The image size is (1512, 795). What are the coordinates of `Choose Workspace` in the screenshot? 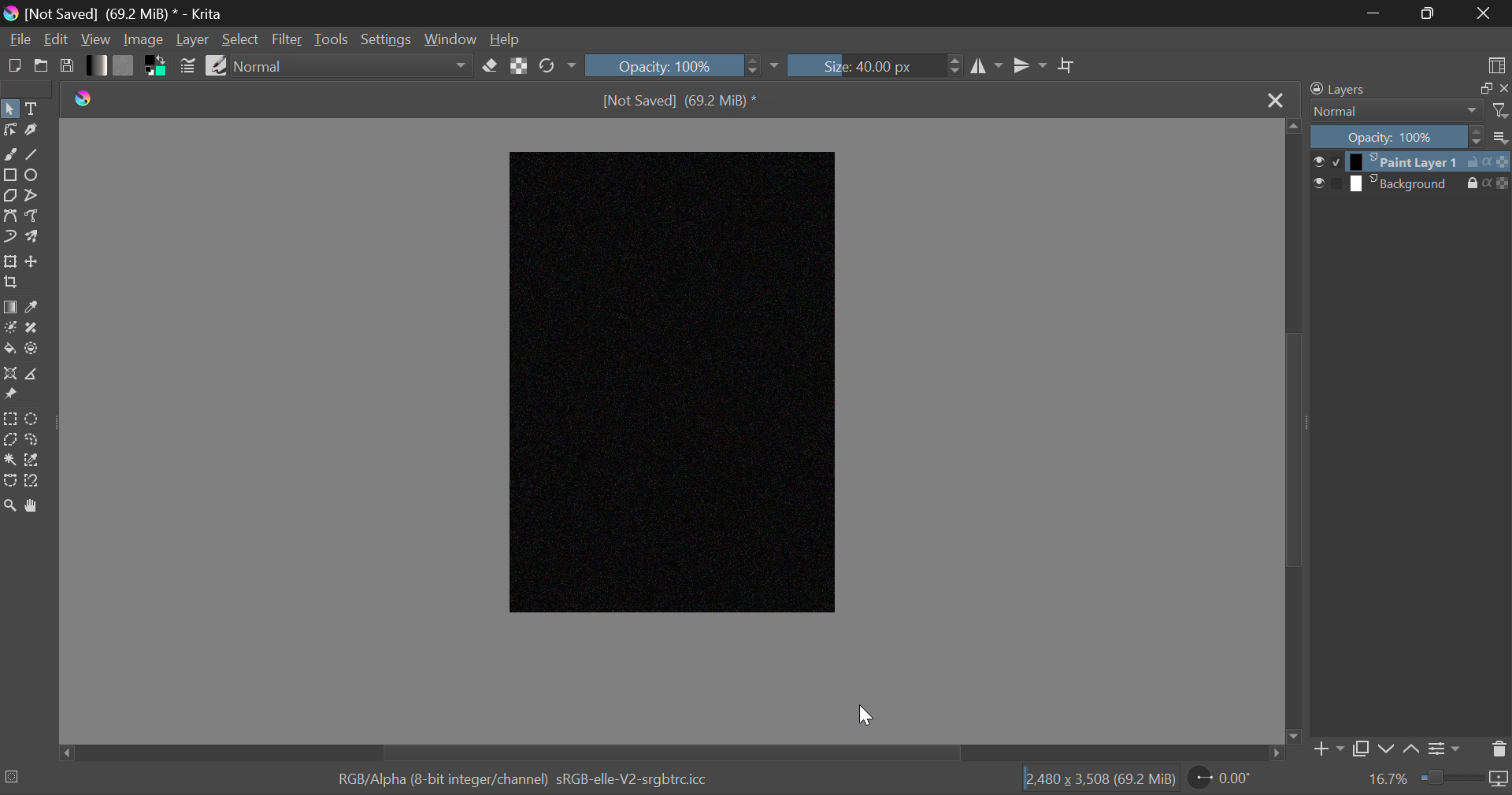 It's located at (1495, 64).